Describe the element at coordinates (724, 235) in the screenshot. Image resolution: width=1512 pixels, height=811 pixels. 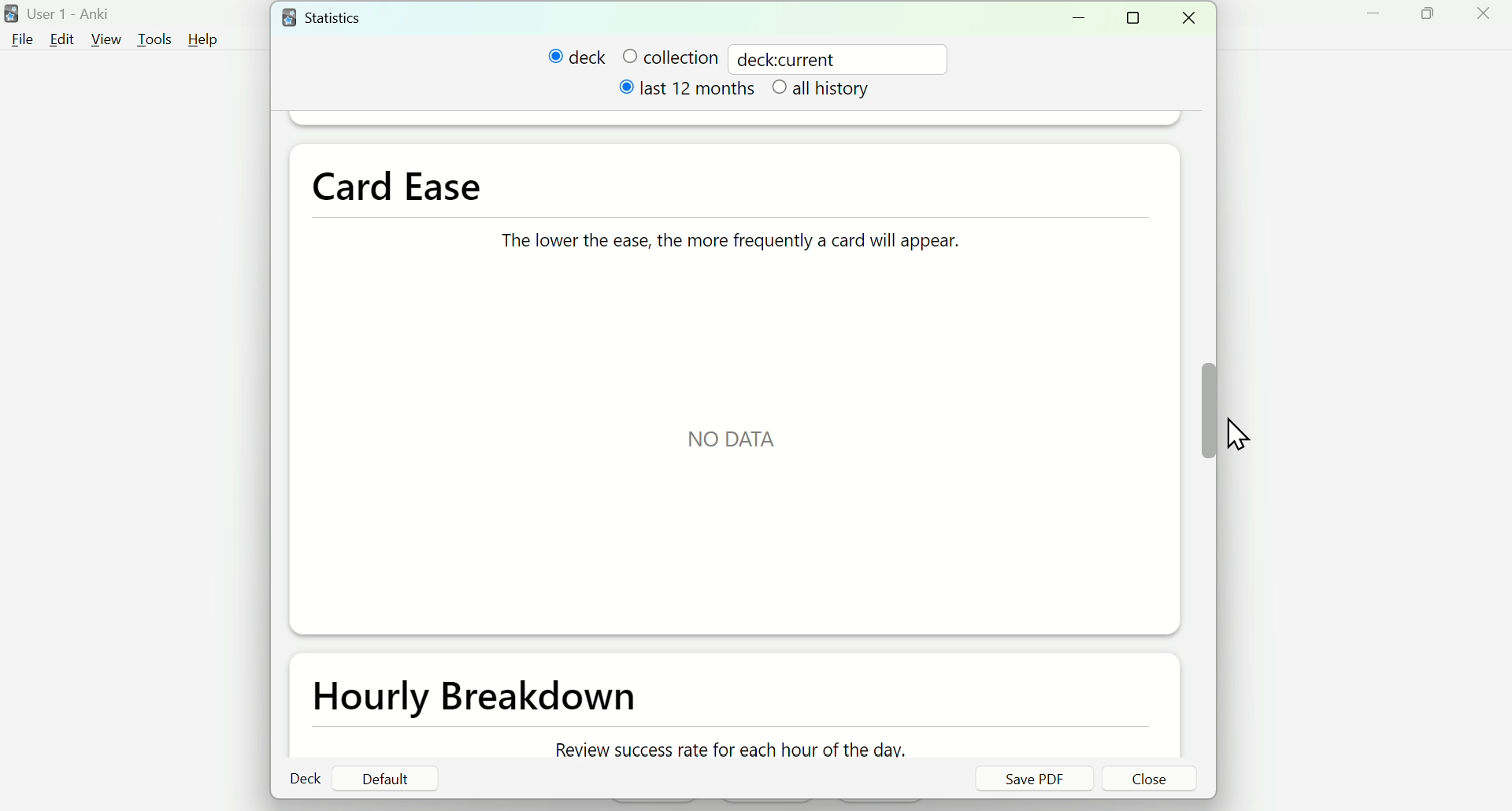
I see `The lower the ease, the more frequently a card will appear.` at that location.